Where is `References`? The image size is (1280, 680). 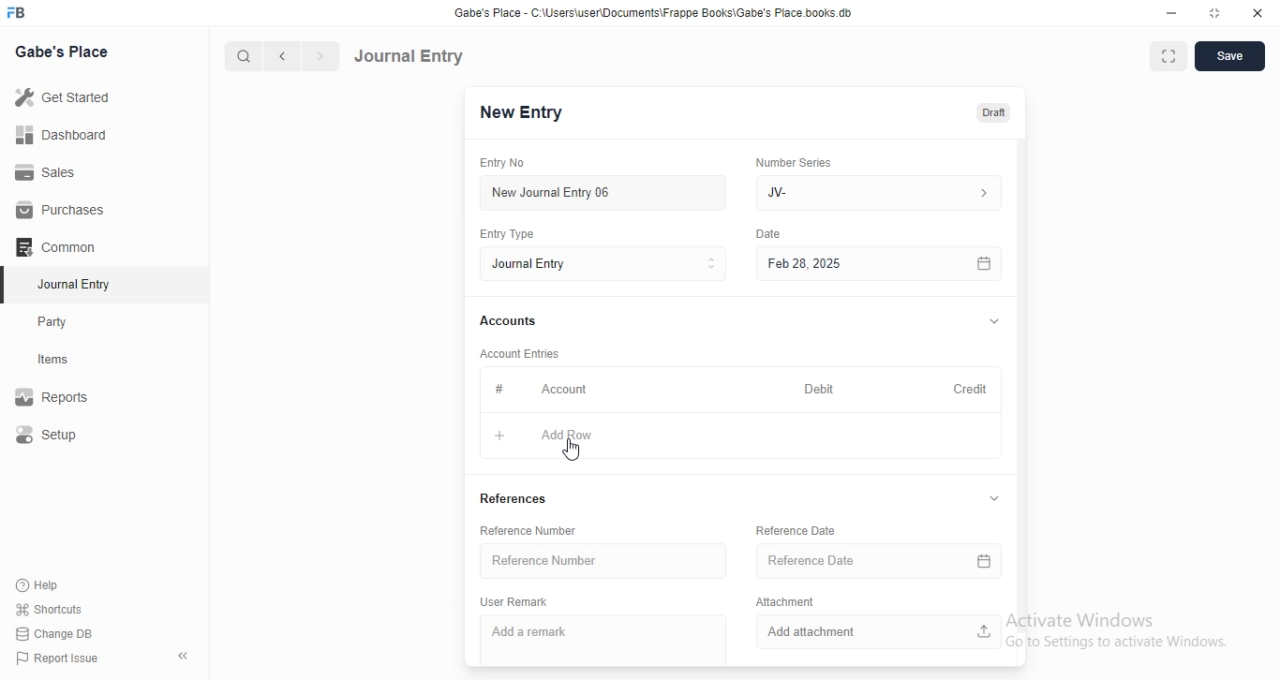 References is located at coordinates (510, 499).